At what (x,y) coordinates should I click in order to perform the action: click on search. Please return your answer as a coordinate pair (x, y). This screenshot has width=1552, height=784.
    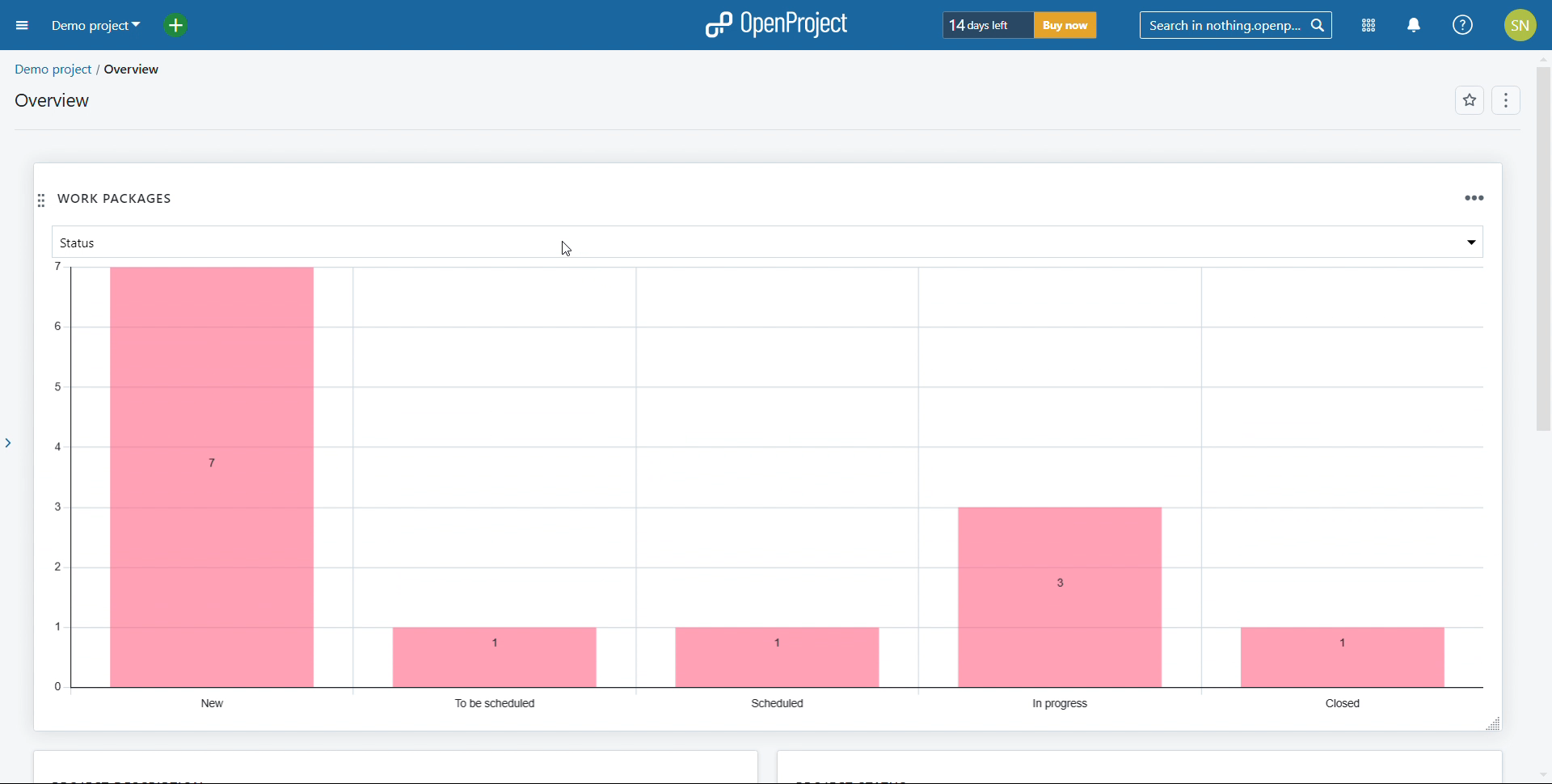
    Looking at the image, I should click on (1236, 26).